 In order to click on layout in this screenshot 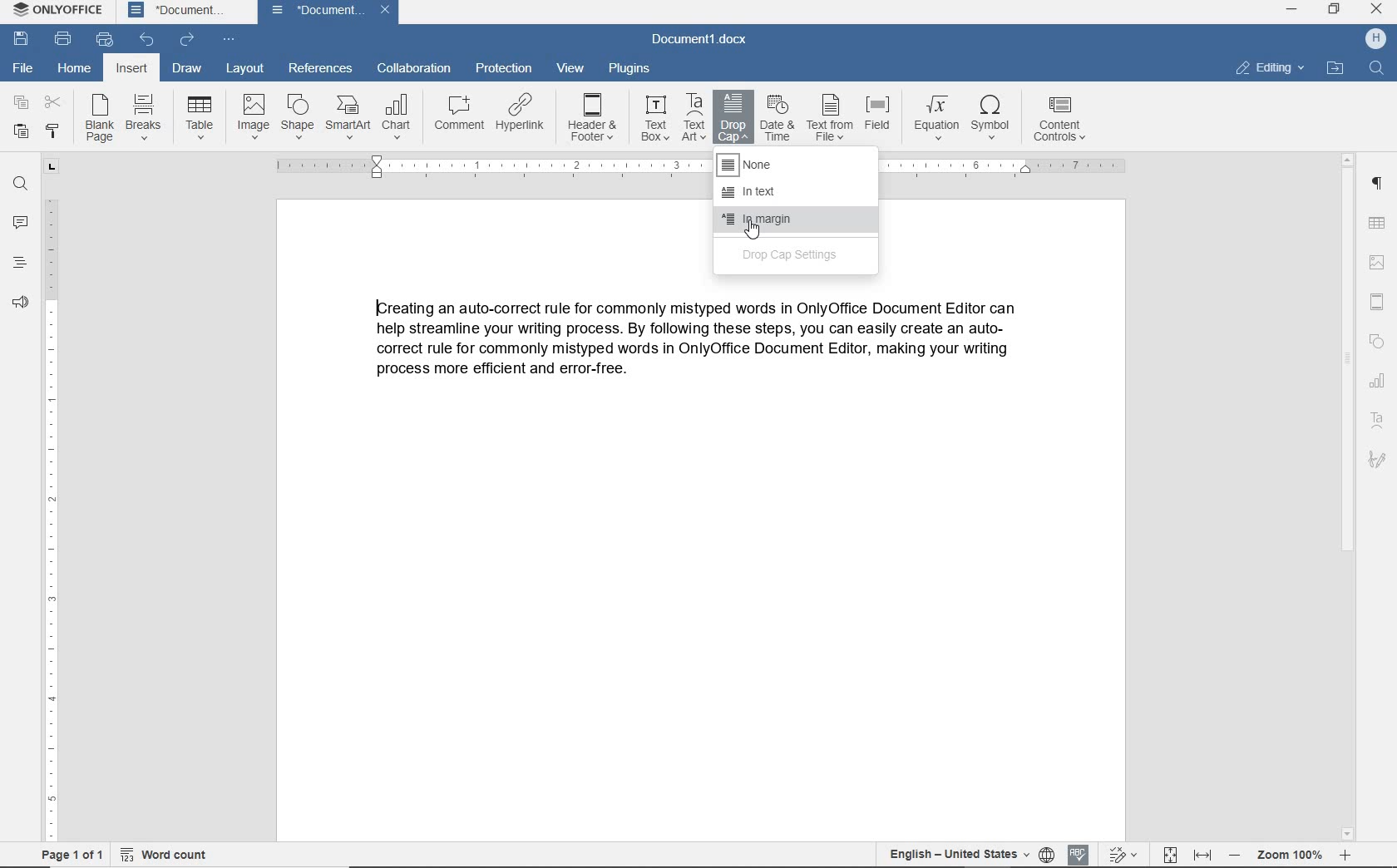, I will do `click(243, 68)`.